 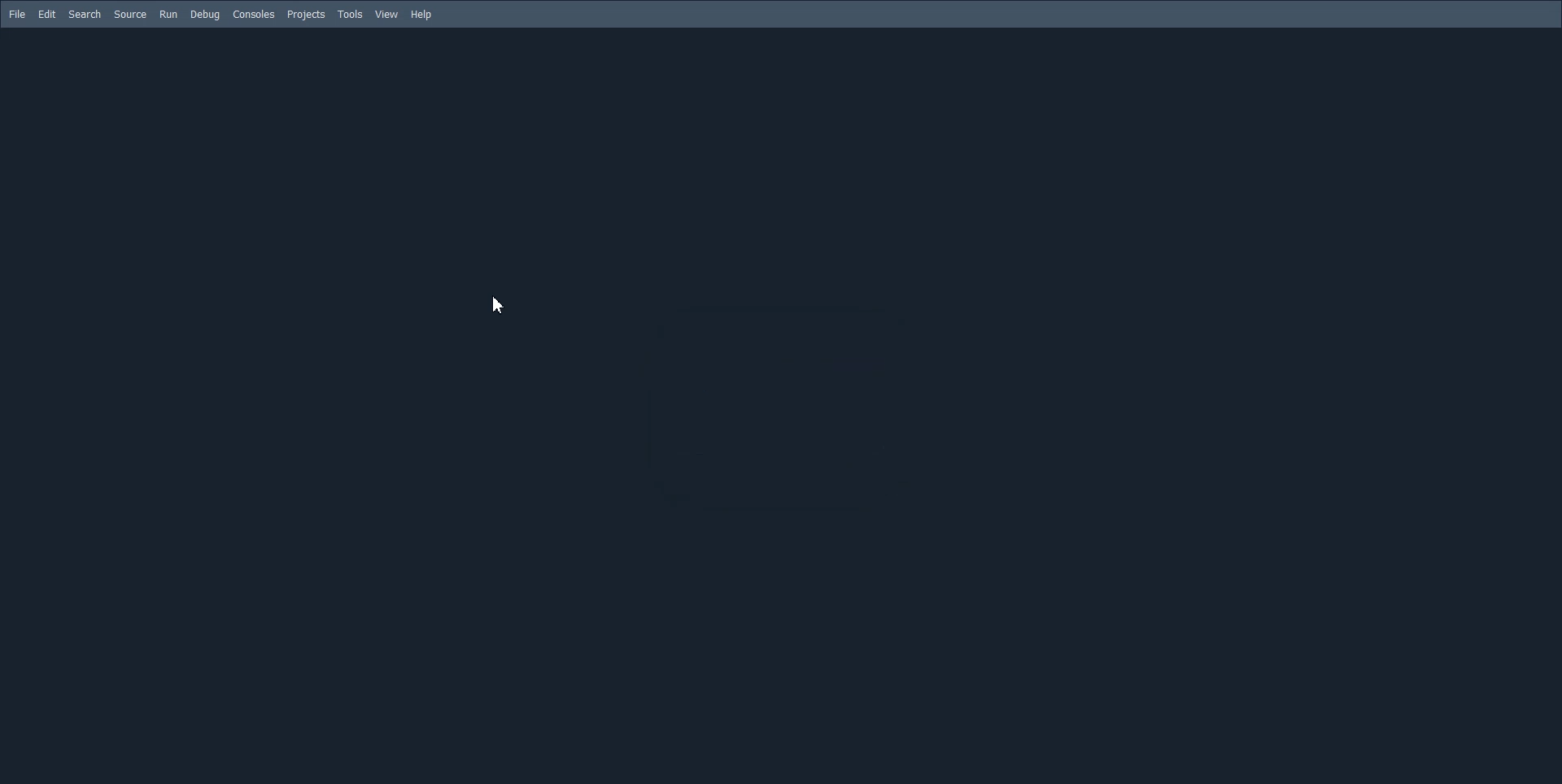 What do you see at coordinates (130, 15) in the screenshot?
I see `Source` at bounding box center [130, 15].